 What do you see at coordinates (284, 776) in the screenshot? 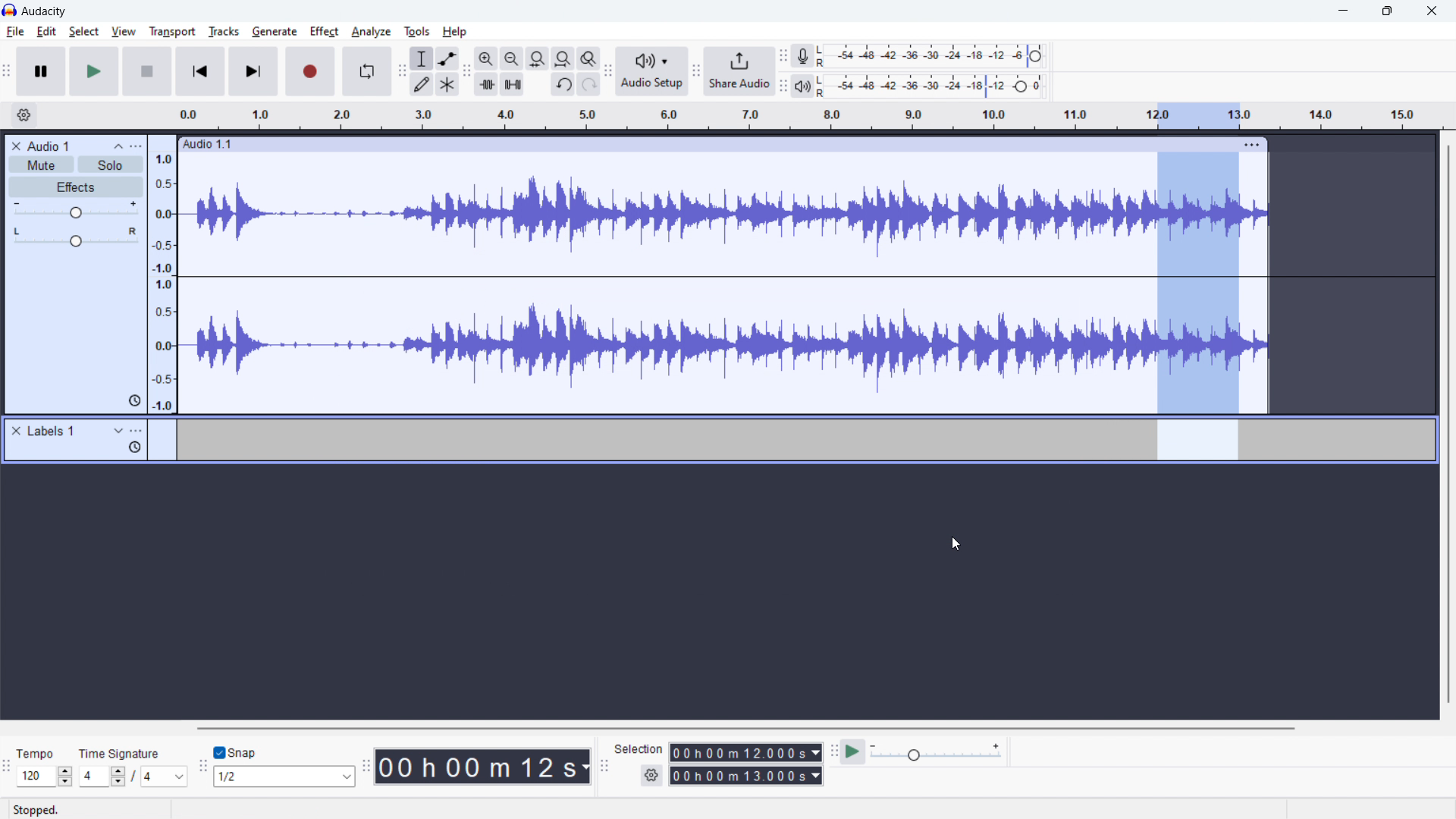
I see `select snapping` at bounding box center [284, 776].